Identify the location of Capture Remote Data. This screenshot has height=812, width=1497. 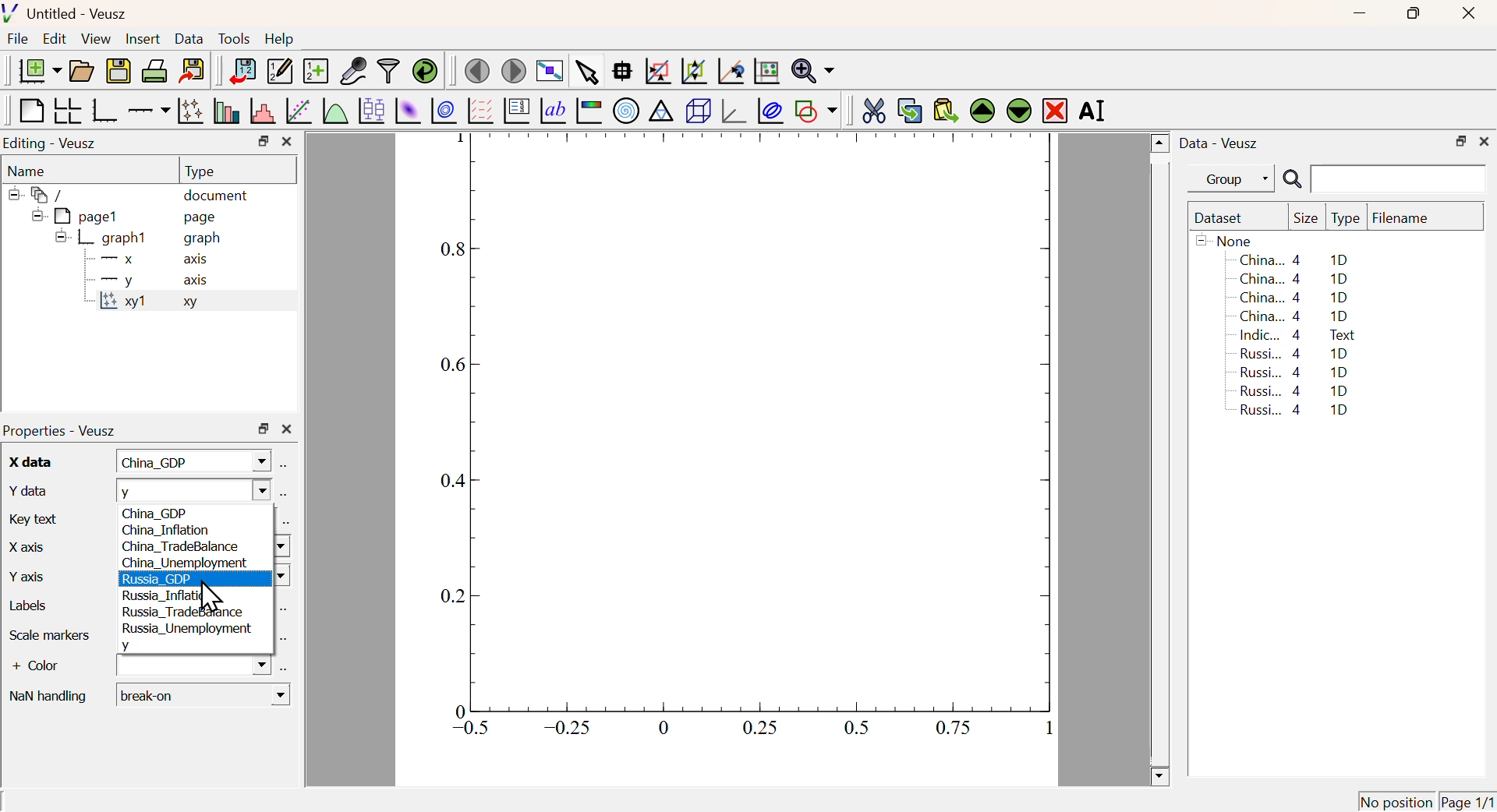
(354, 69).